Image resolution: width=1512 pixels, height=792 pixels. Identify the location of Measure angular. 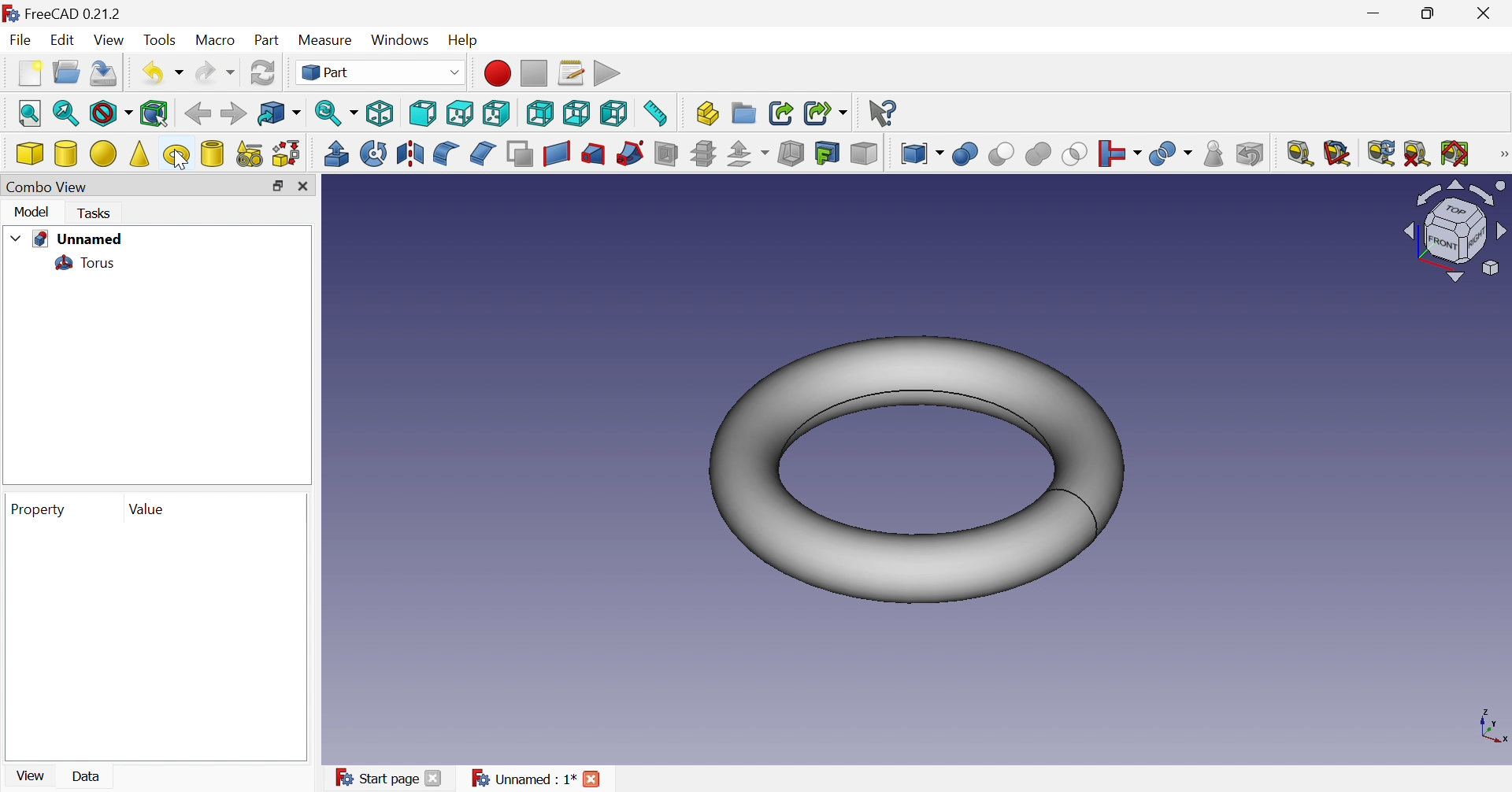
(1336, 155).